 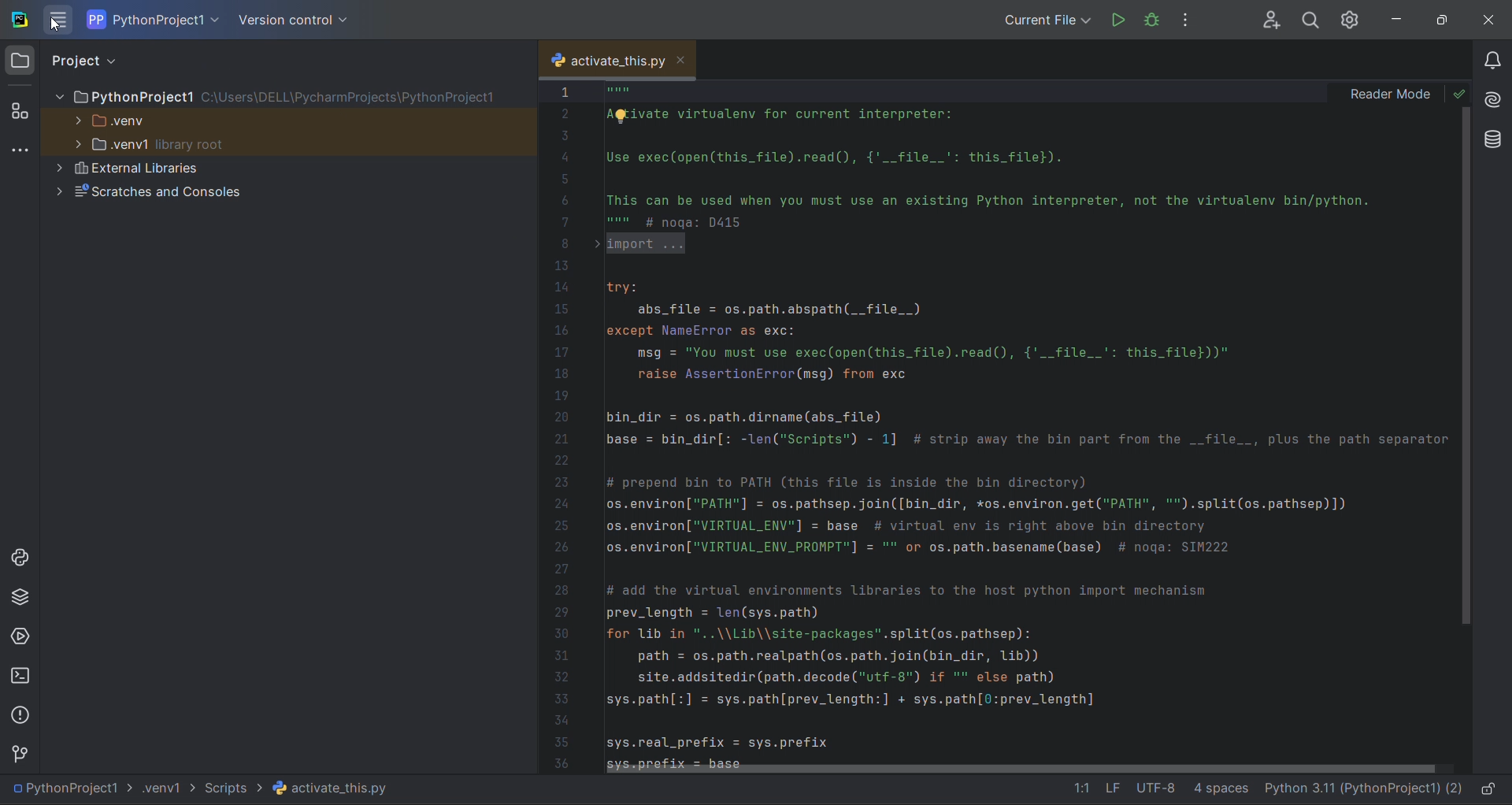 What do you see at coordinates (1393, 18) in the screenshot?
I see `minimize` at bounding box center [1393, 18].